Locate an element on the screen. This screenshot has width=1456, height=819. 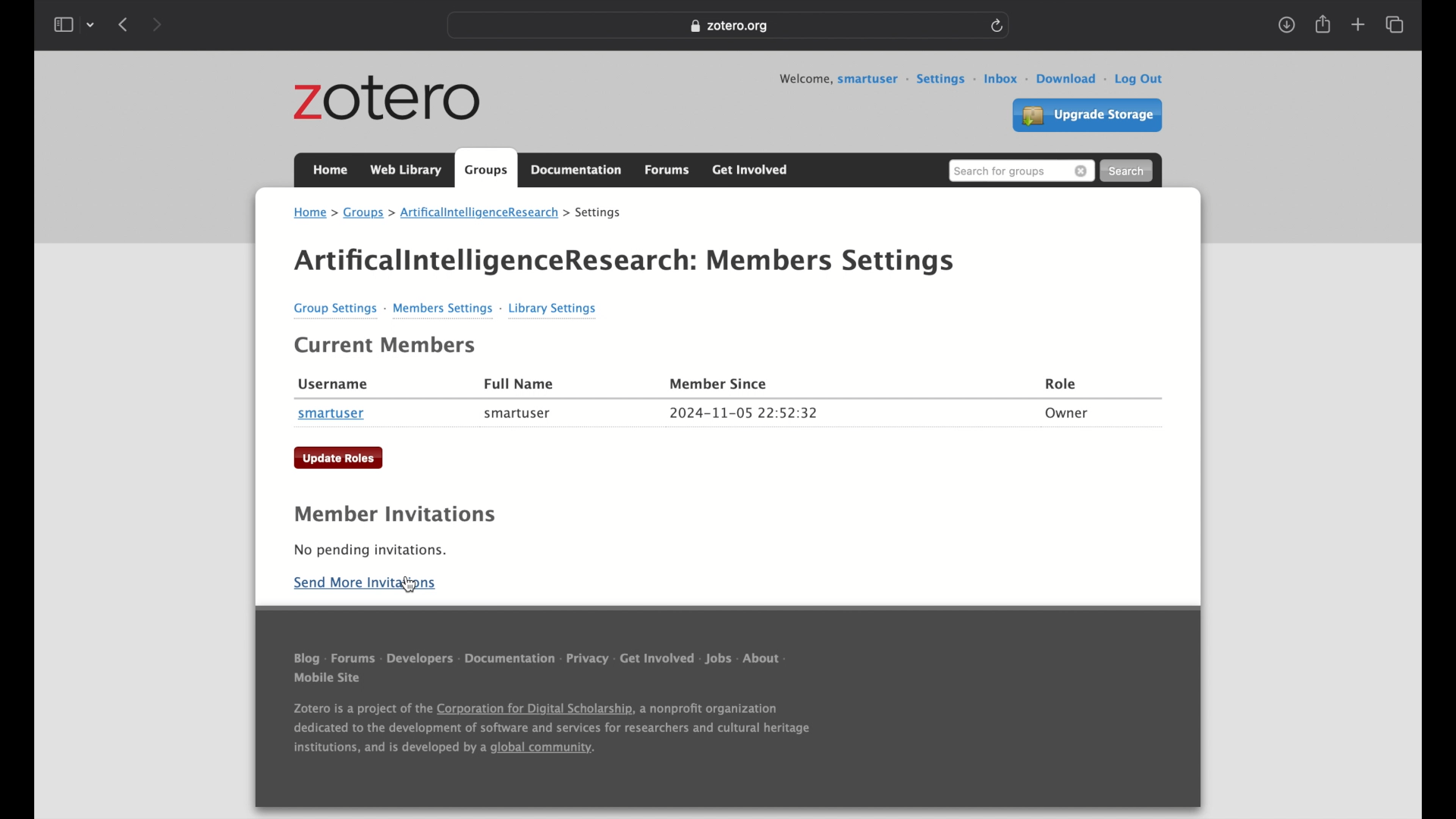
search for groups is located at coordinates (1021, 171).